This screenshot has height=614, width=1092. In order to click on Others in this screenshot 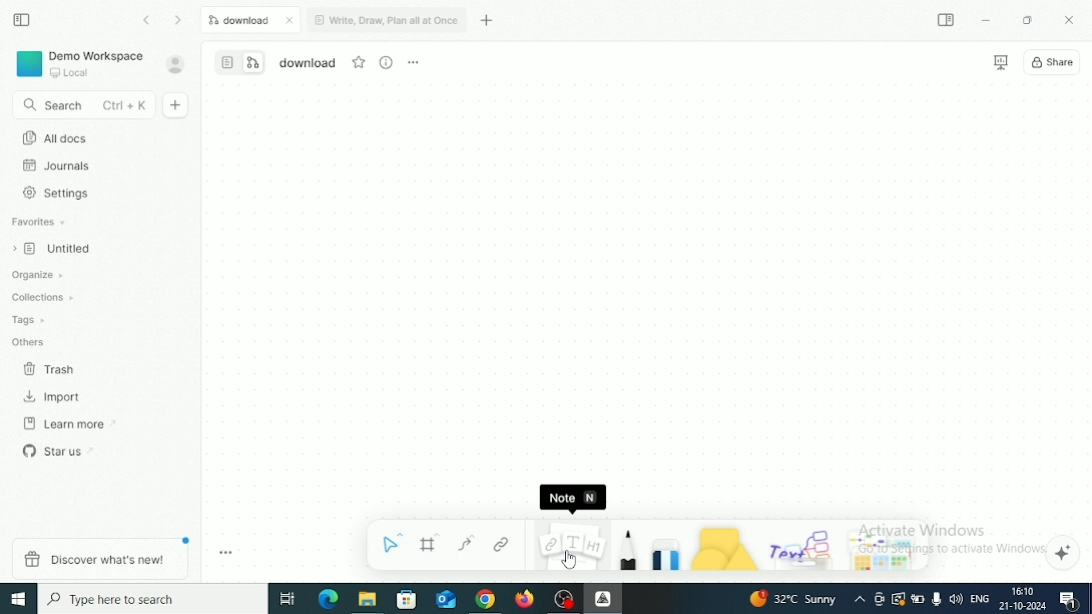, I will do `click(35, 344)`.